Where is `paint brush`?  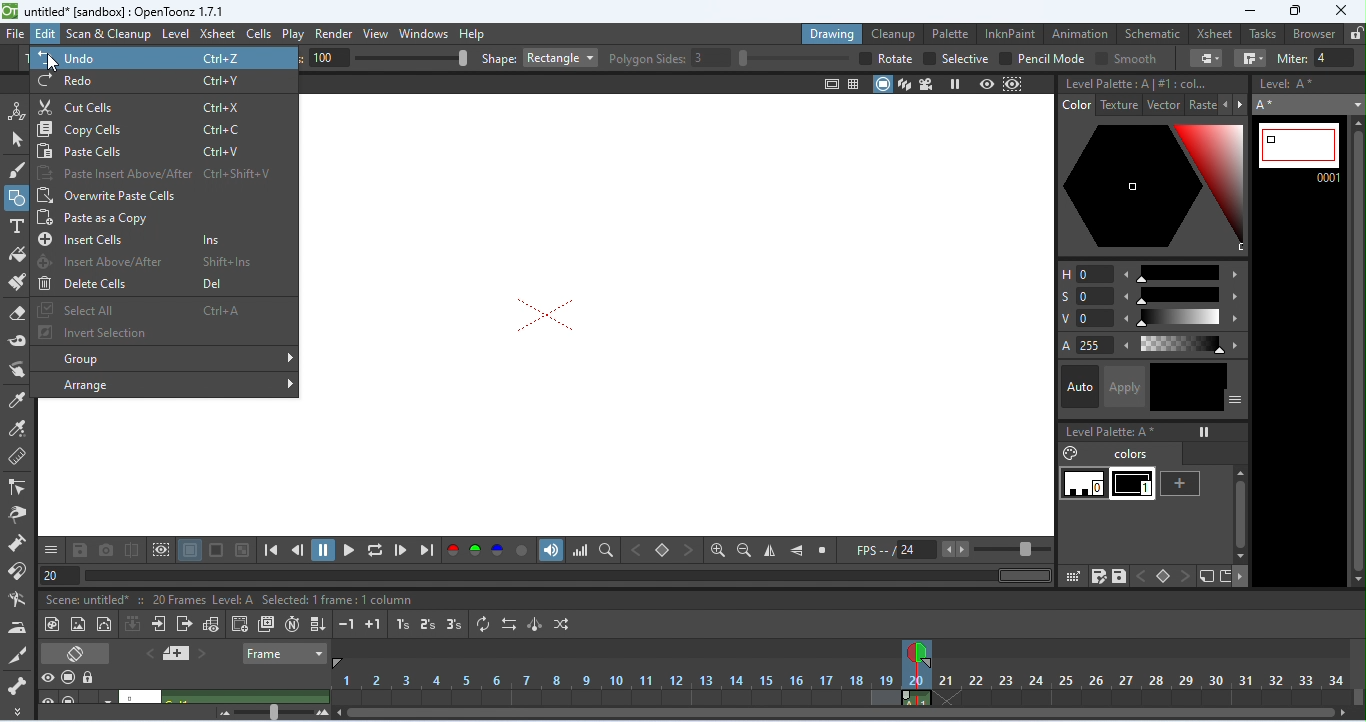
paint brush is located at coordinates (18, 282).